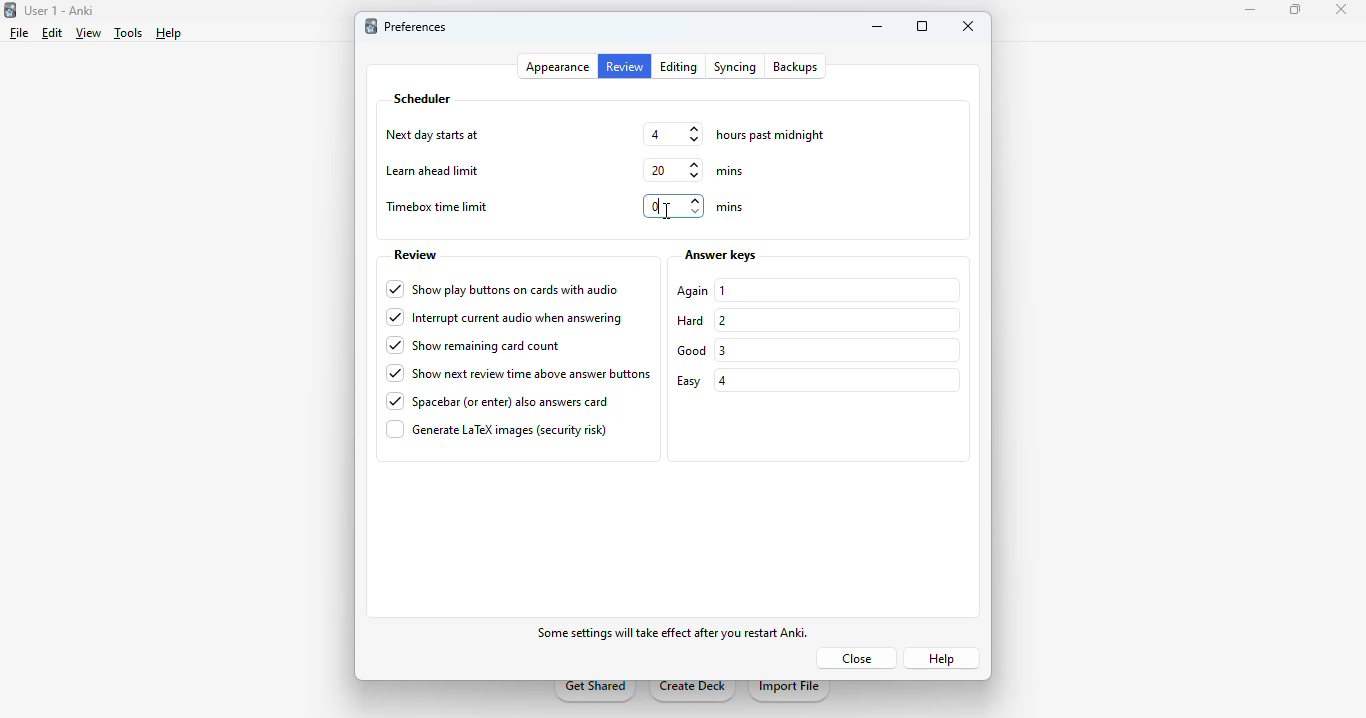  I want to click on 1, so click(722, 291).